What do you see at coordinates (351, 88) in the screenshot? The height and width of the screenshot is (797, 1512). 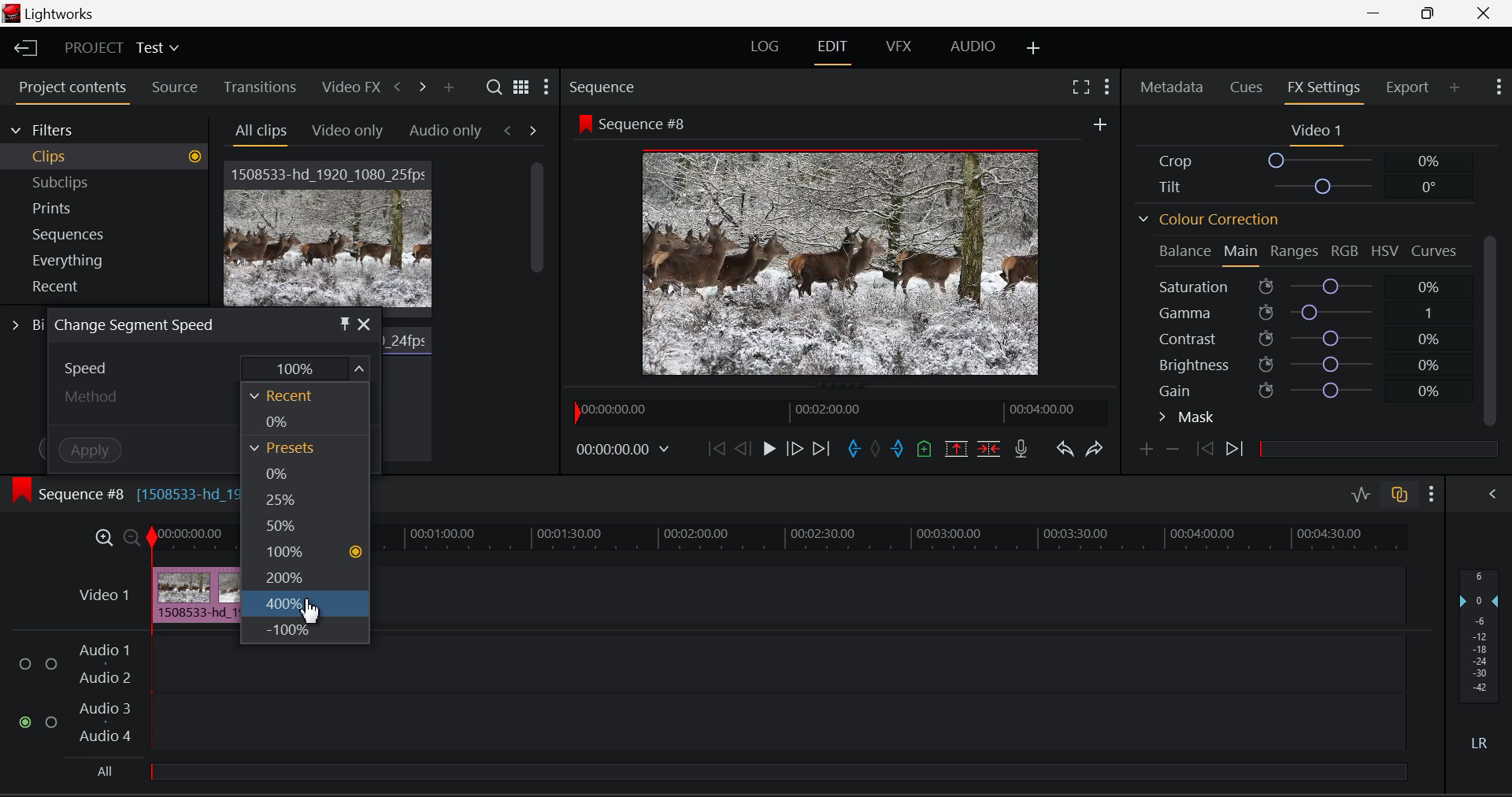 I see `Video FX Tab` at bounding box center [351, 88].